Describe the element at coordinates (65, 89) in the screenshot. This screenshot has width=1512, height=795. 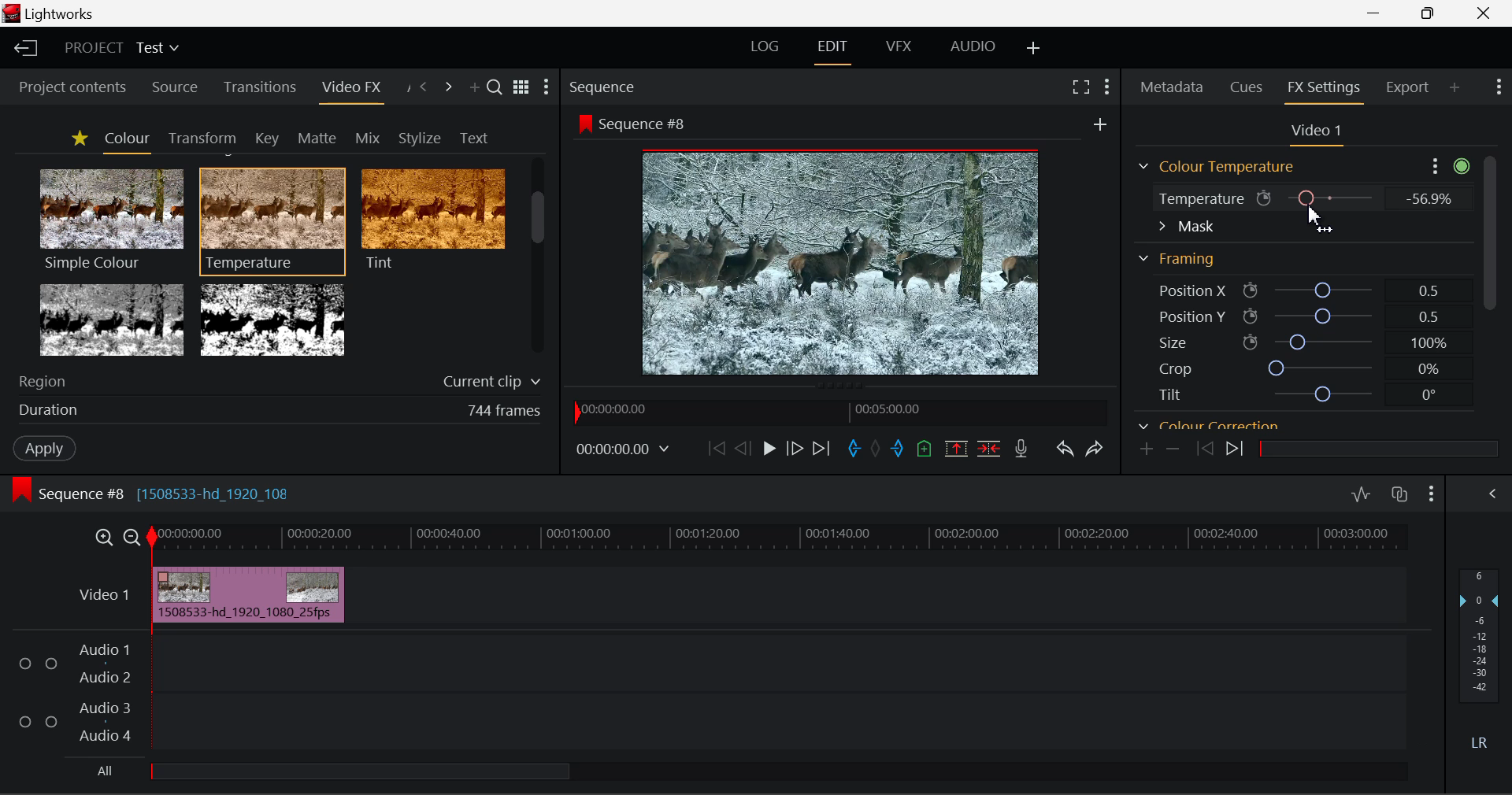
I see `Project contents` at that location.